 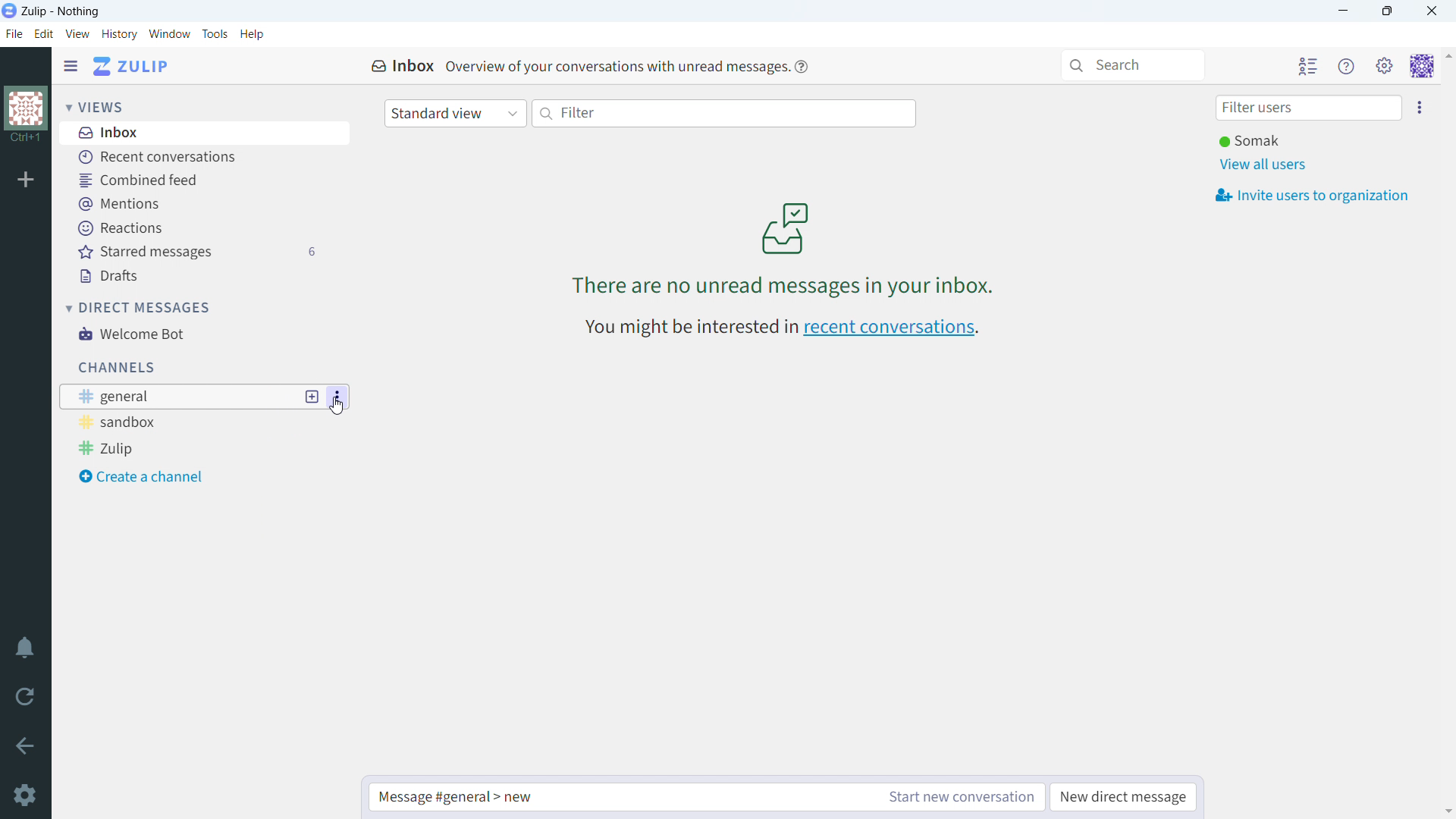 I want to click on drafts, so click(x=196, y=277).